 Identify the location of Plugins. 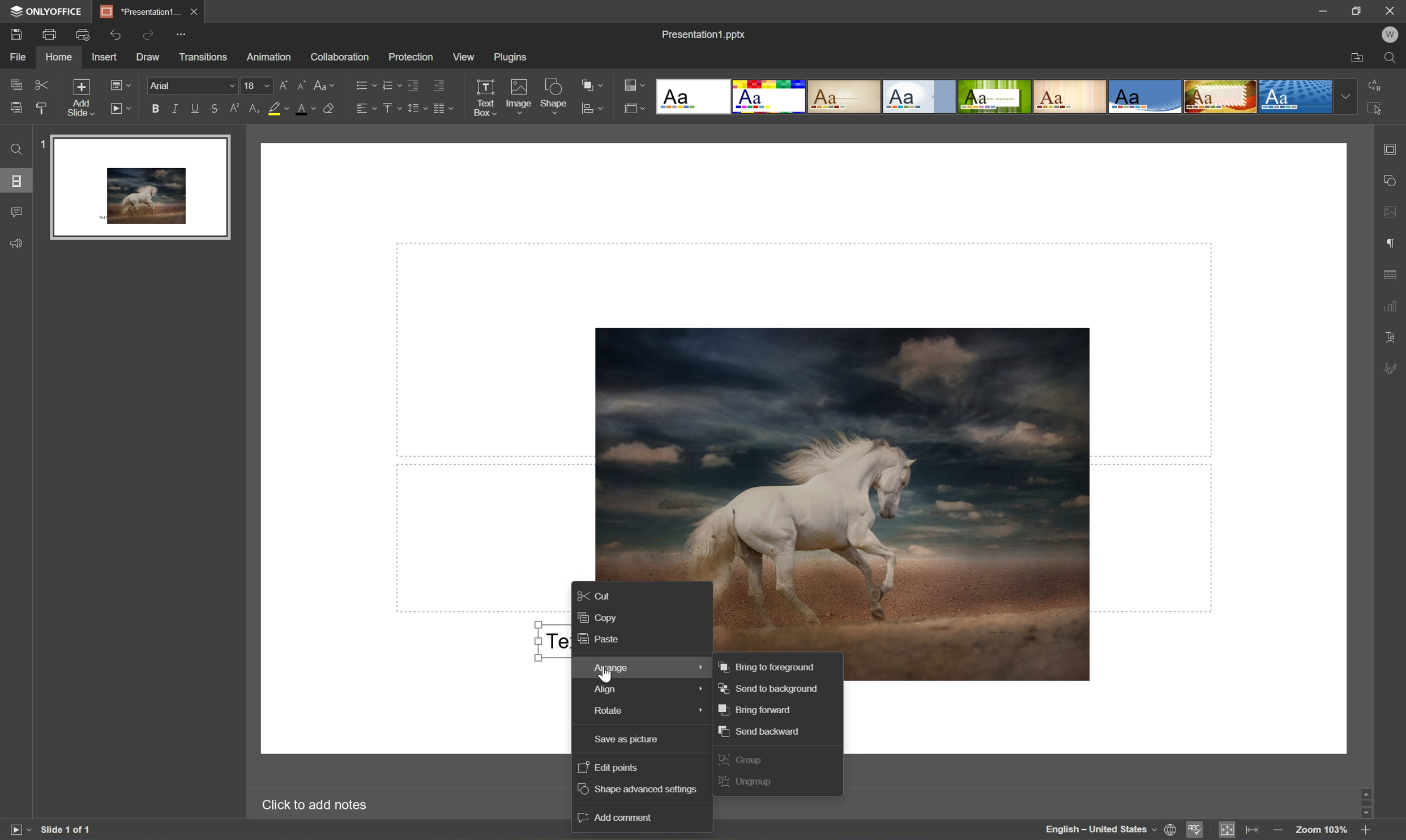
(514, 58).